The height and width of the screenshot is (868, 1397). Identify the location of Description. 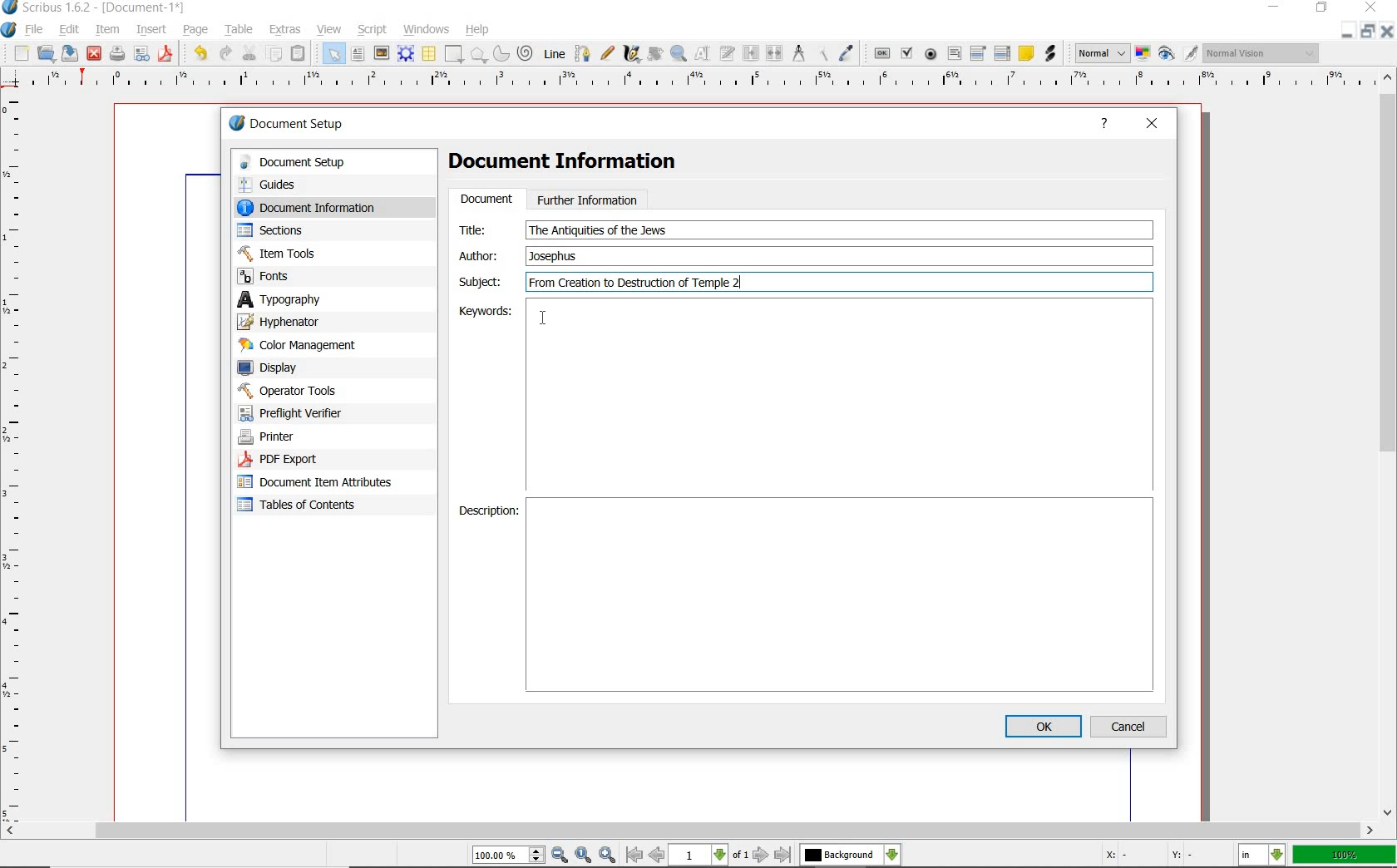
(486, 513).